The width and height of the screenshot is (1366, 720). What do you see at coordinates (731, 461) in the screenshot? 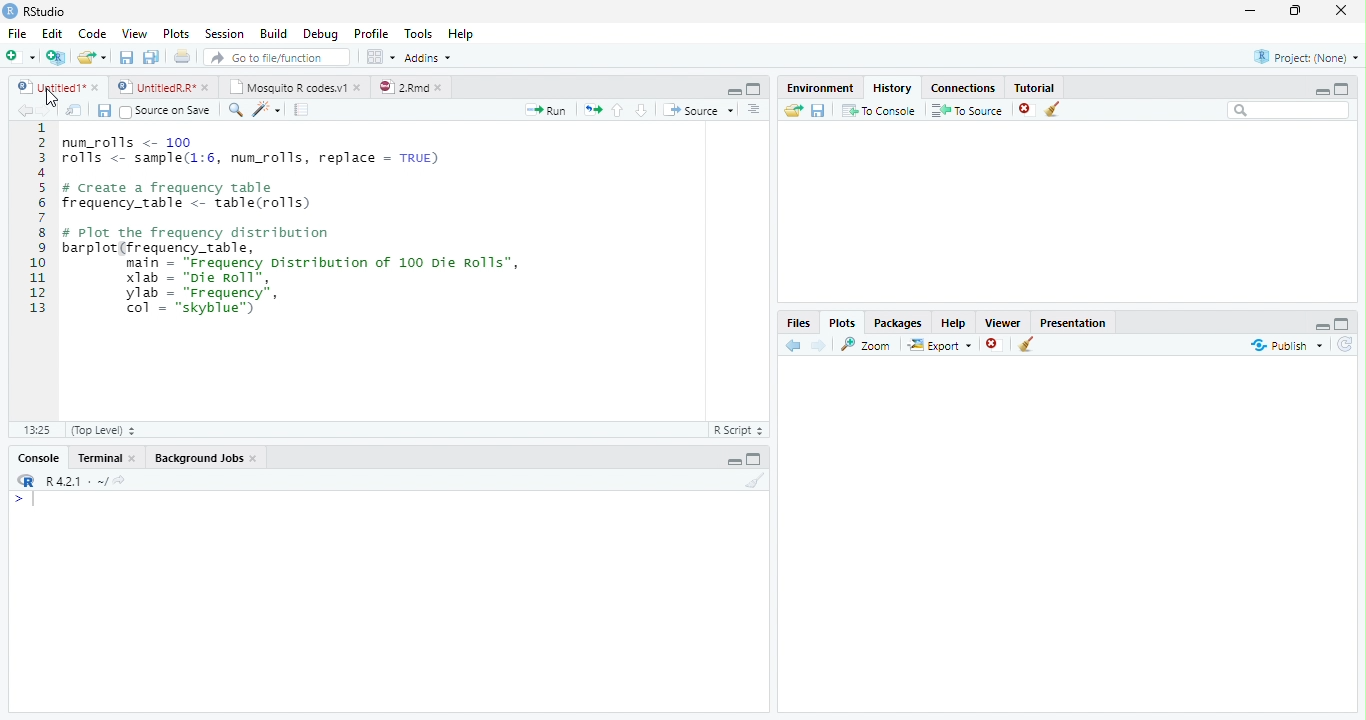
I see `Hide` at bounding box center [731, 461].